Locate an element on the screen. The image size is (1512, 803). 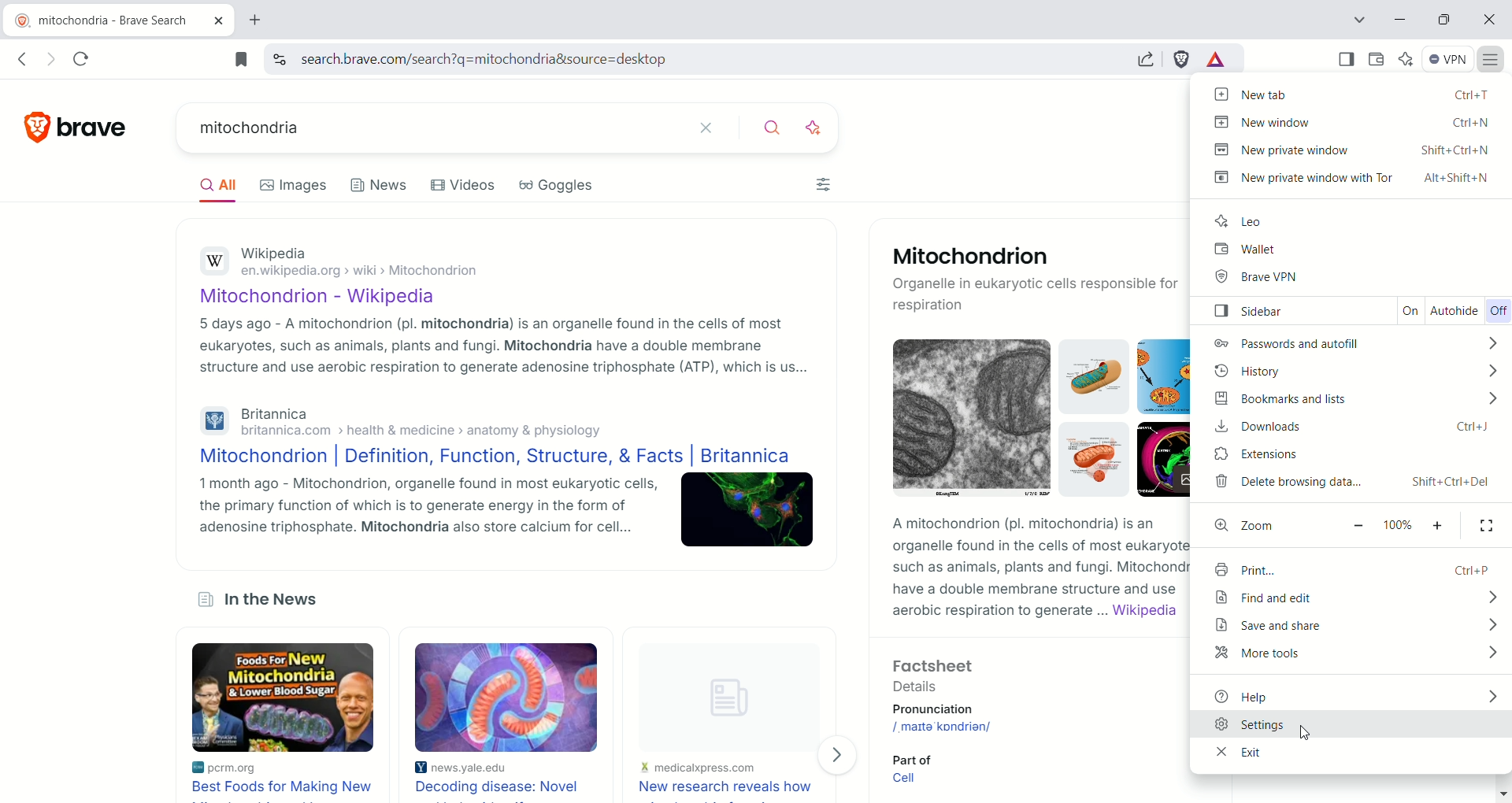
reload is located at coordinates (80, 59).